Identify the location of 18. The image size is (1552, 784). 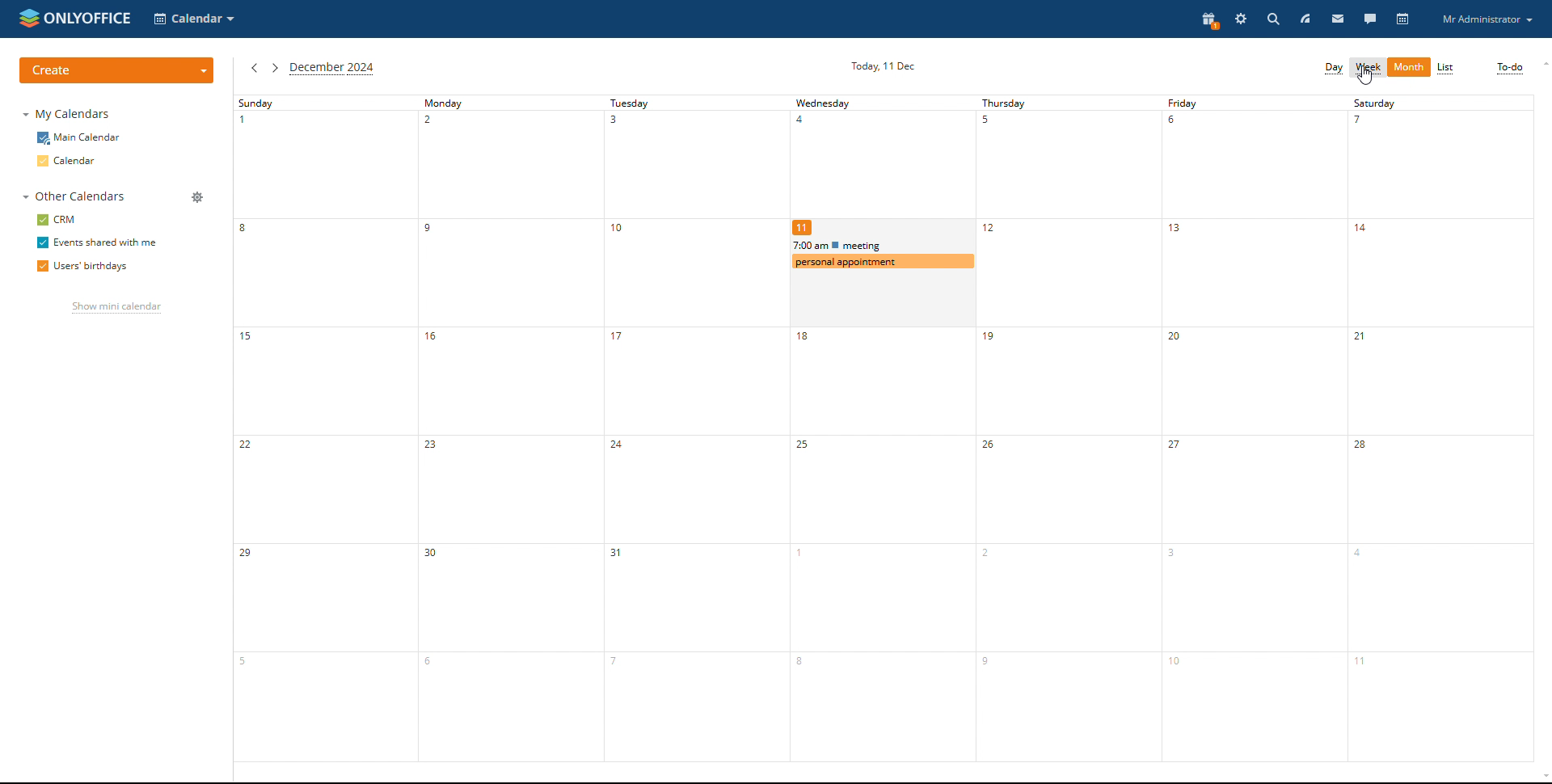
(881, 546).